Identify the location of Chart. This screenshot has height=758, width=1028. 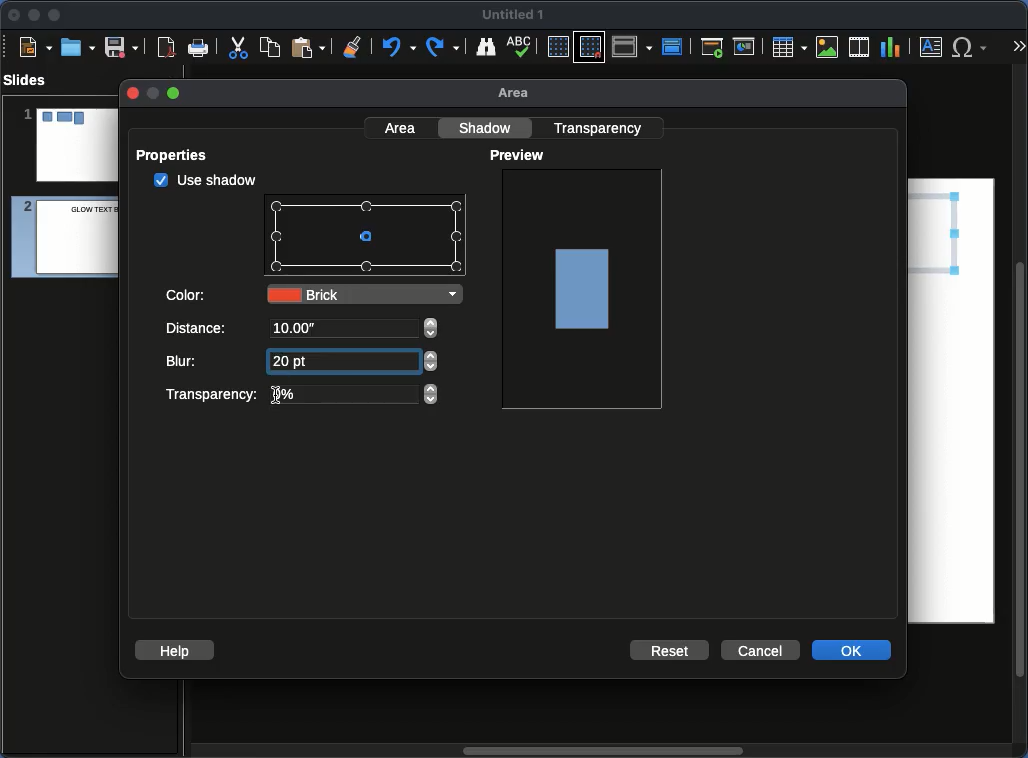
(890, 48).